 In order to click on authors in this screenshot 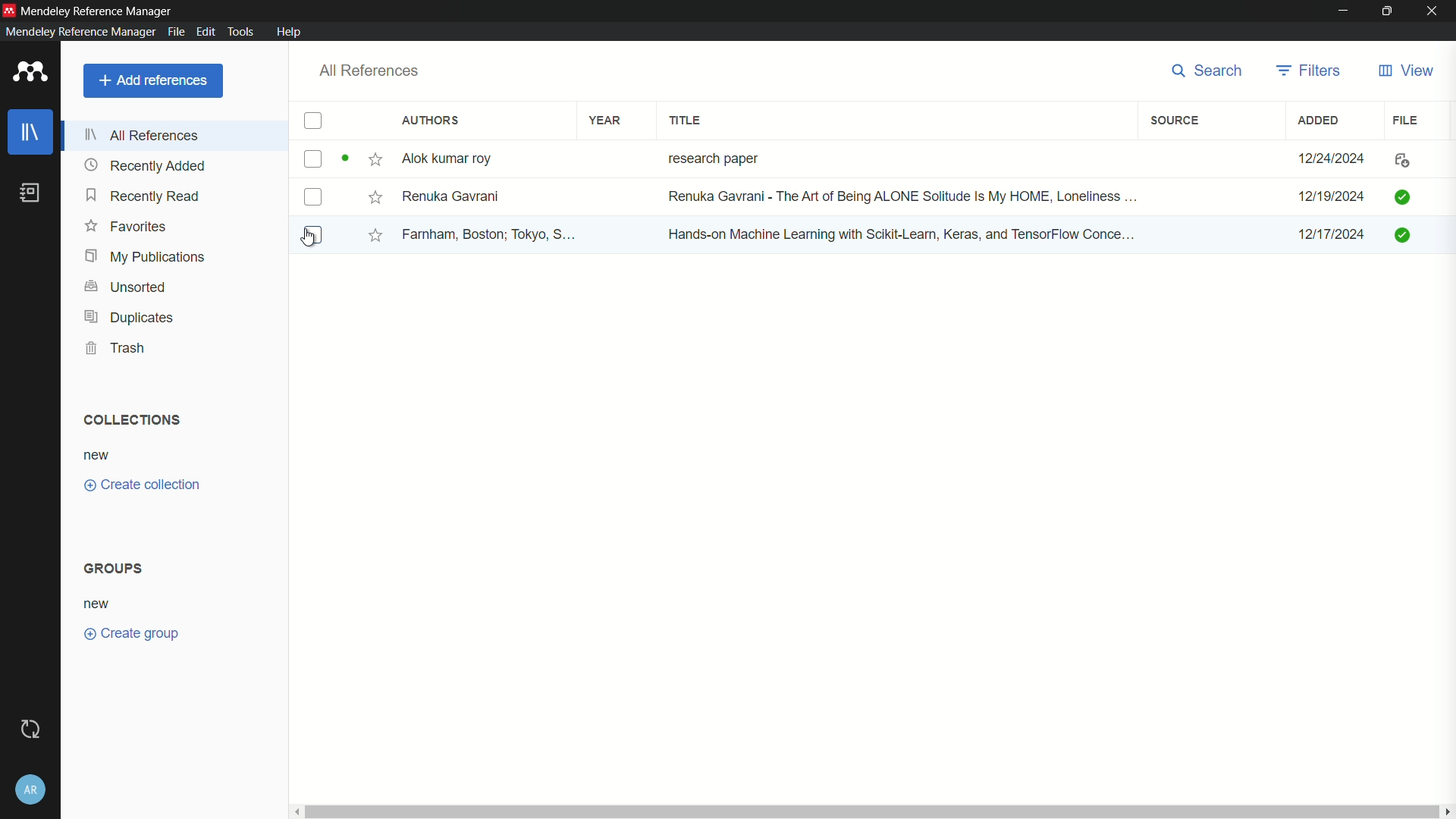, I will do `click(429, 121)`.